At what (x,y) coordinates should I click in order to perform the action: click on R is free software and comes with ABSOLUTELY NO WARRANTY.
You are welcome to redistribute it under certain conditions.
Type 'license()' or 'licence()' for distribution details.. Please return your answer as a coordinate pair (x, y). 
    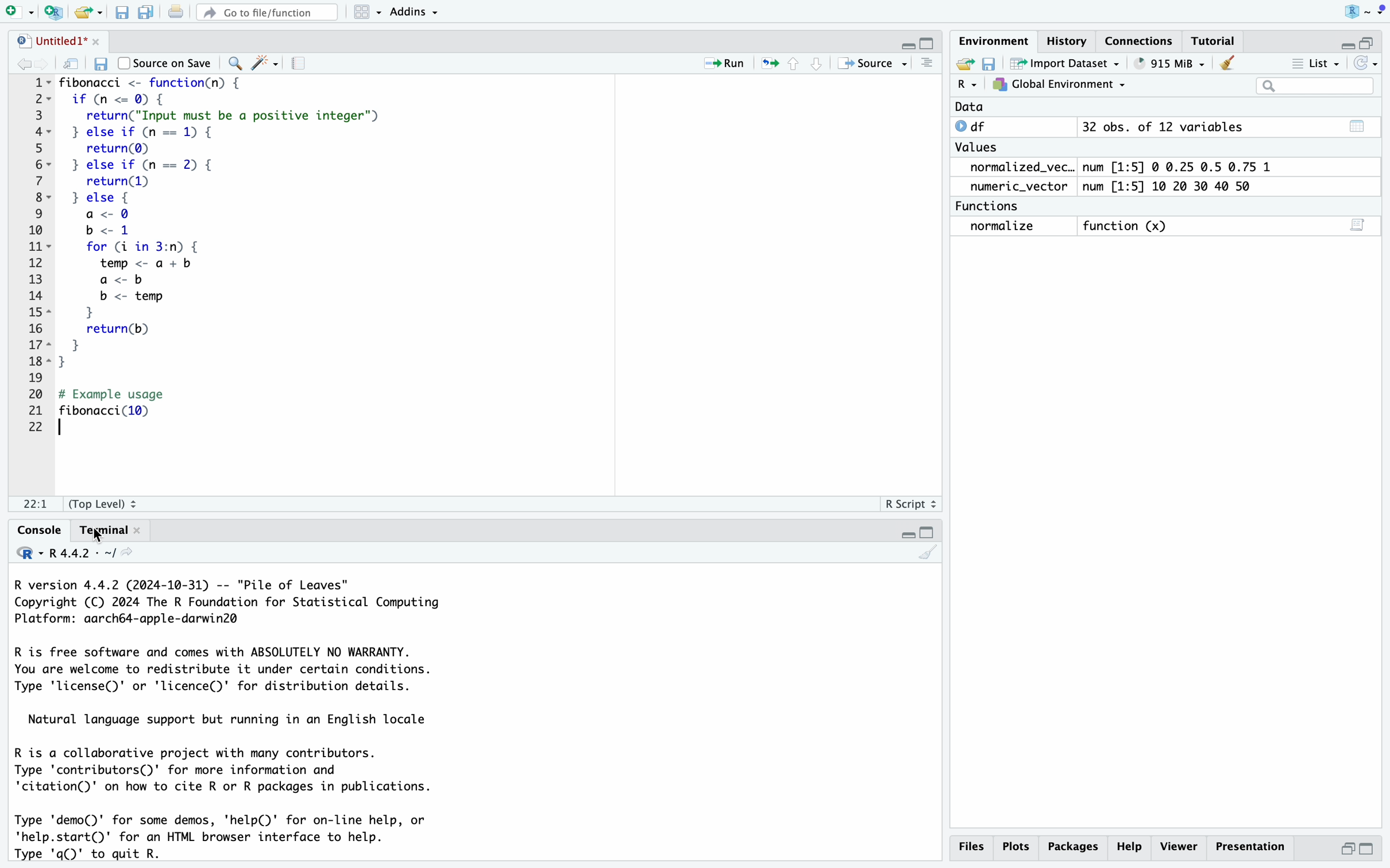
    Looking at the image, I should click on (250, 672).